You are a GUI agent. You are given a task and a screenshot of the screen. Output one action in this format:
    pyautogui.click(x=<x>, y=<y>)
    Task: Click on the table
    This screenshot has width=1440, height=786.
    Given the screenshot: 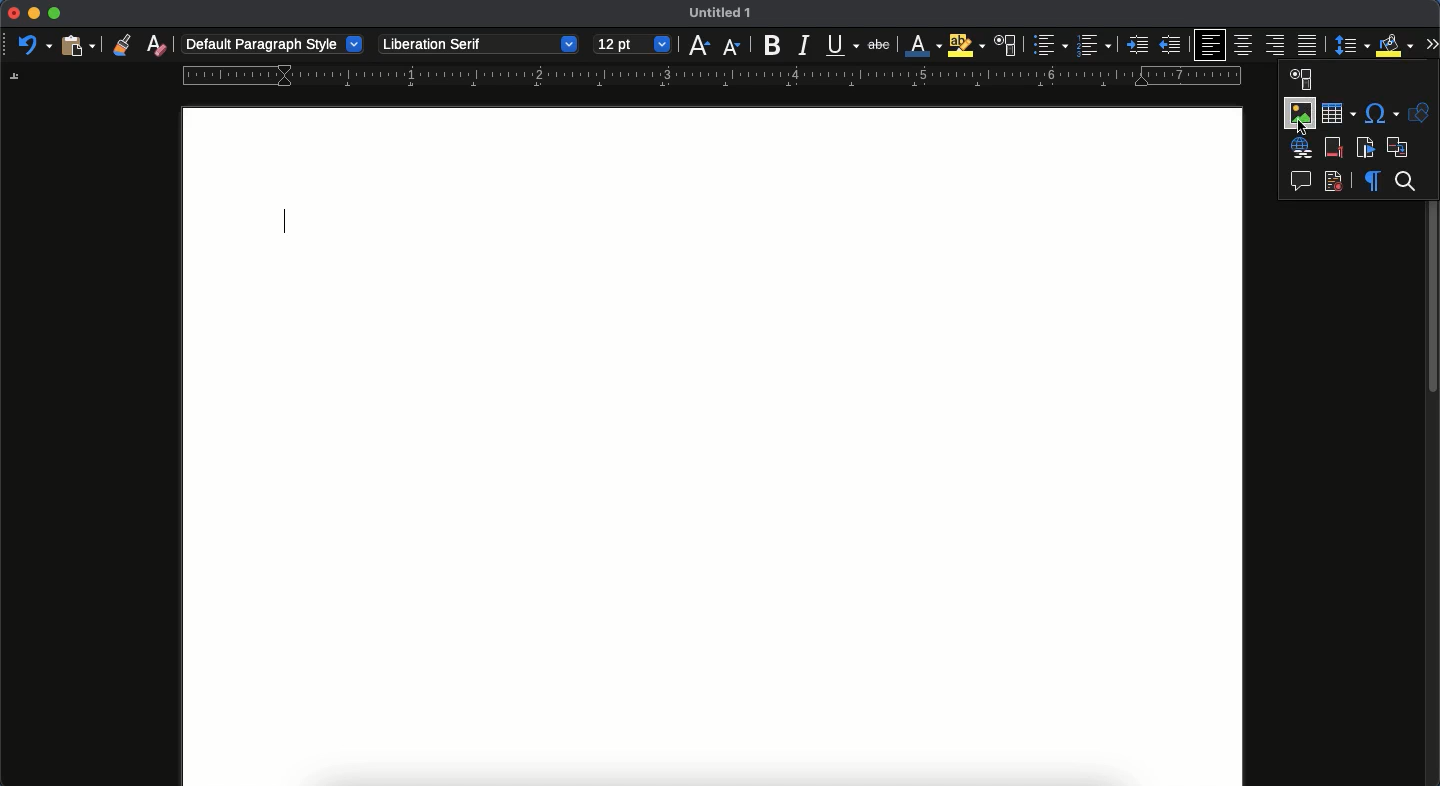 What is the action you would take?
    pyautogui.click(x=1337, y=114)
    